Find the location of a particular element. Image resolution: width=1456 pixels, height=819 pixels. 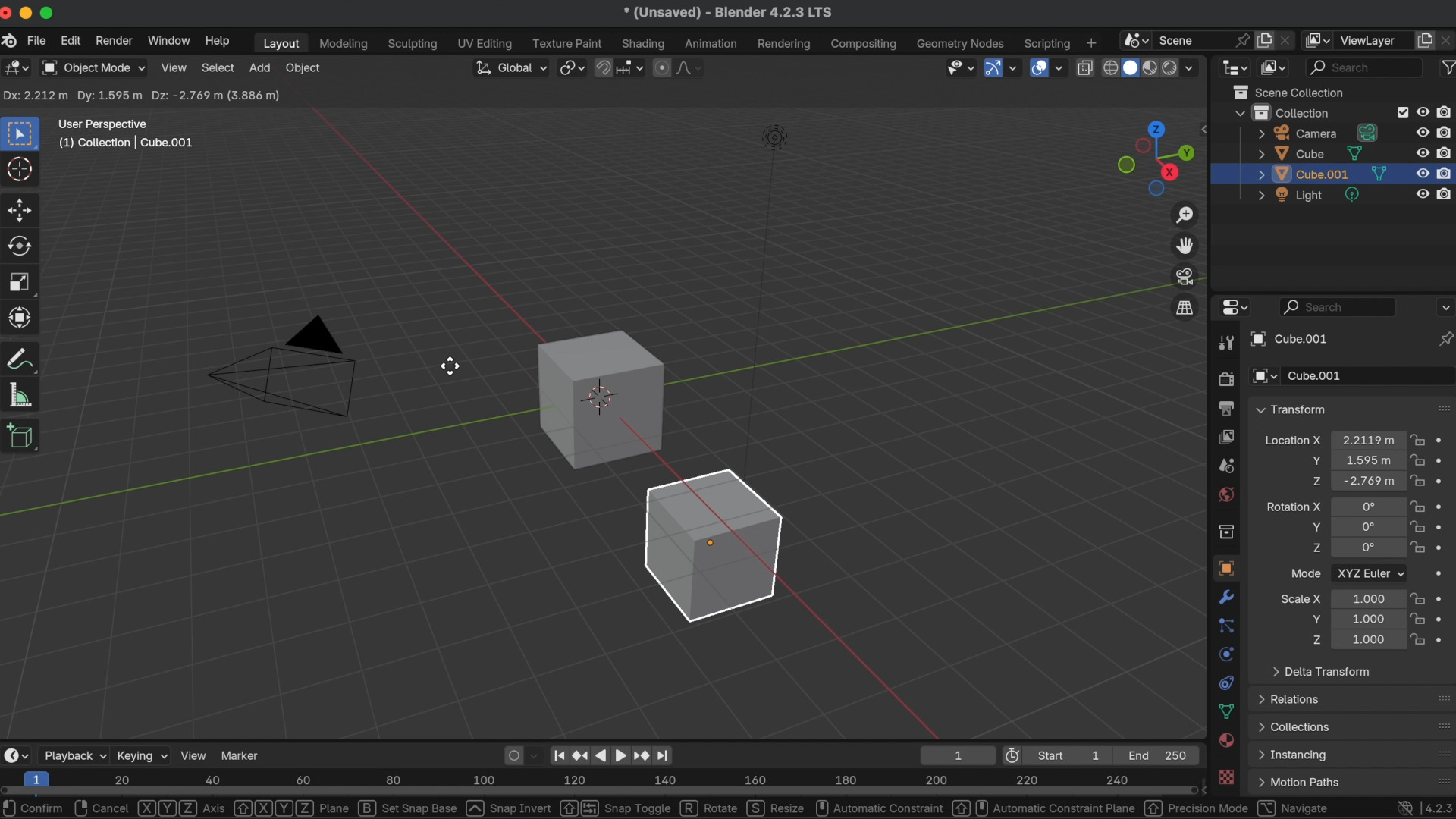

composting is located at coordinates (866, 45).